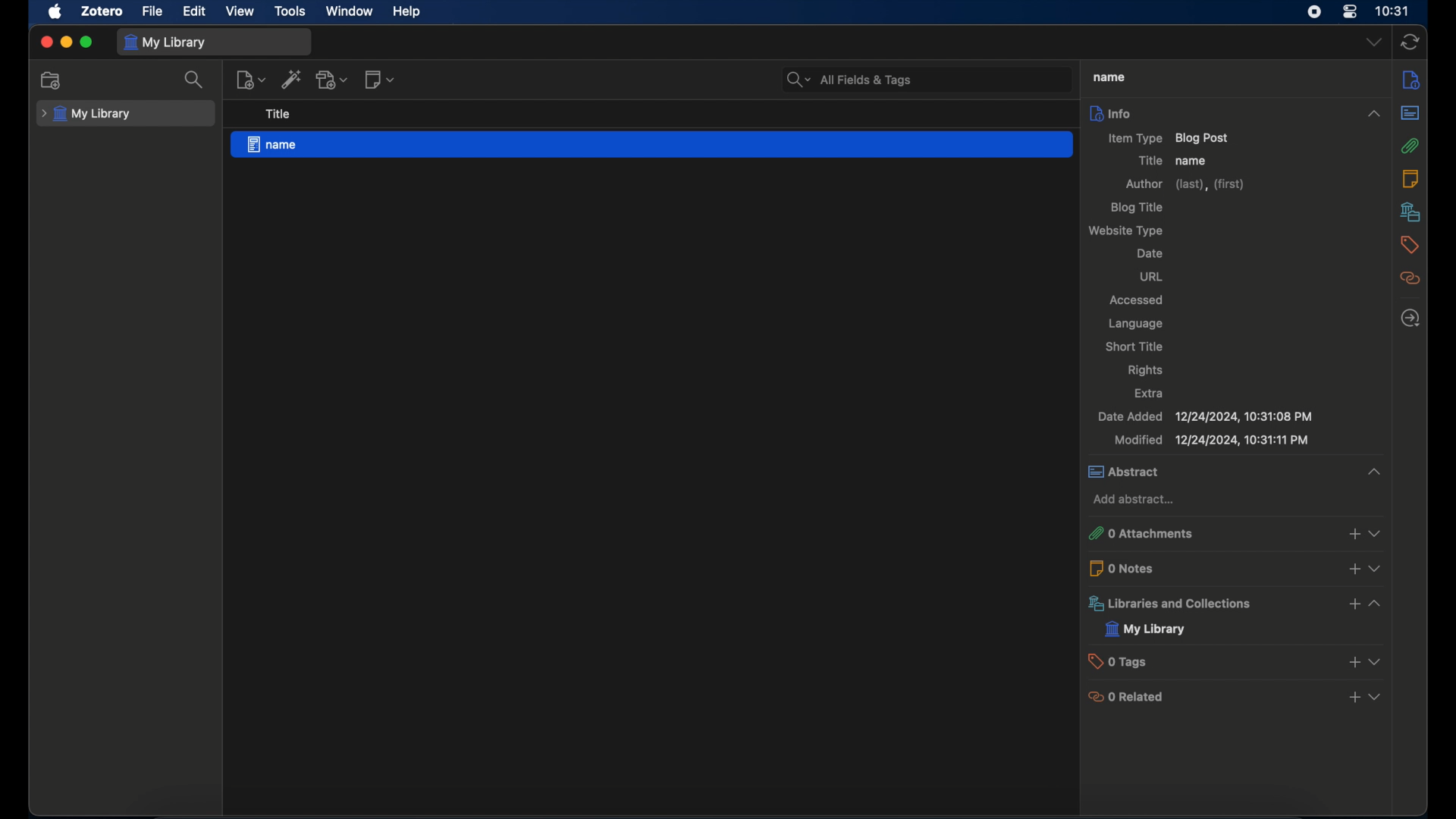 The image size is (1456, 819). I want to click on time, so click(1393, 10).